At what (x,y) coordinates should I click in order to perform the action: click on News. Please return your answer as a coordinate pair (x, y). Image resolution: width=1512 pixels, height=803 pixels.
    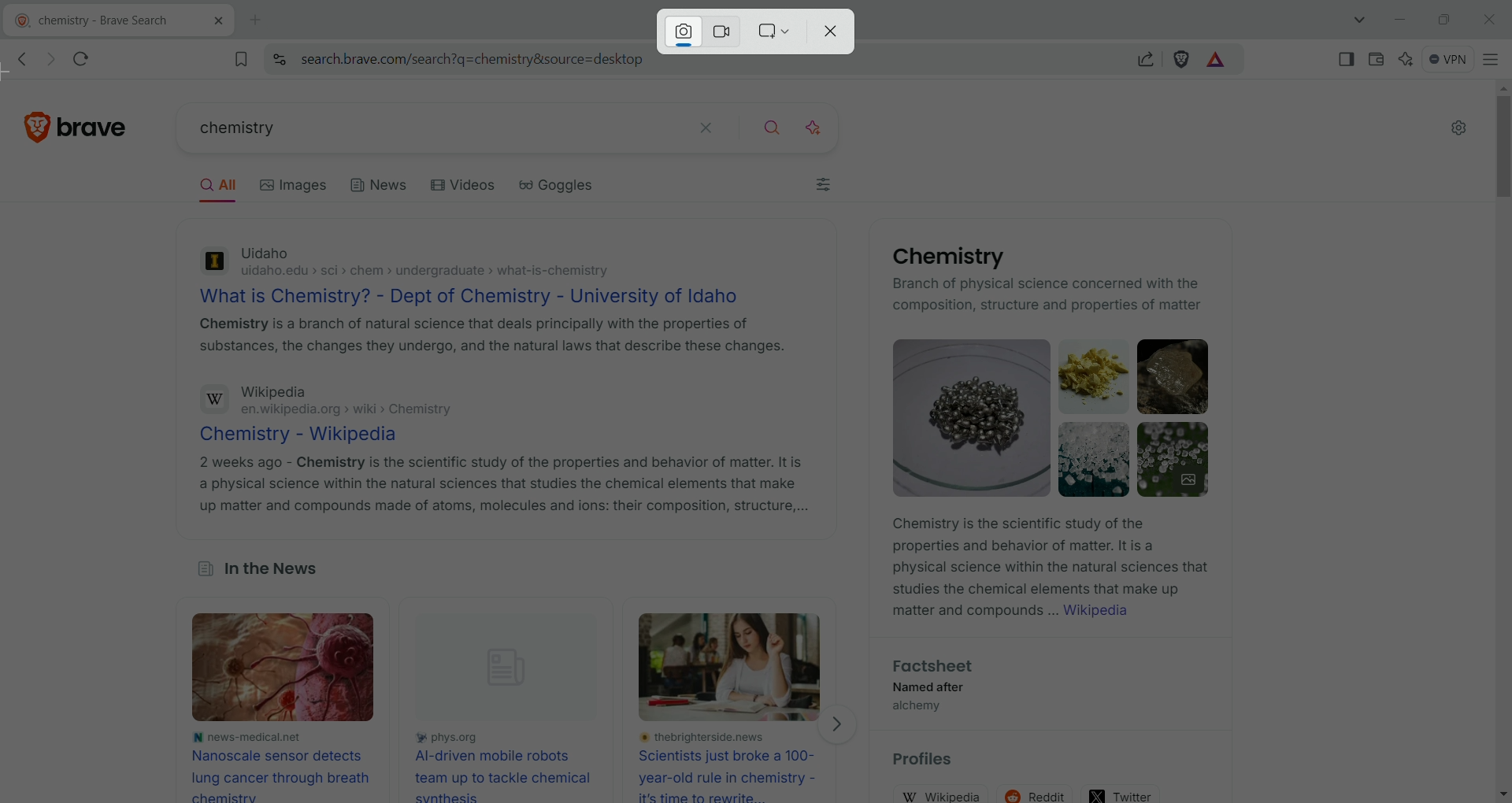
    Looking at the image, I should click on (380, 190).